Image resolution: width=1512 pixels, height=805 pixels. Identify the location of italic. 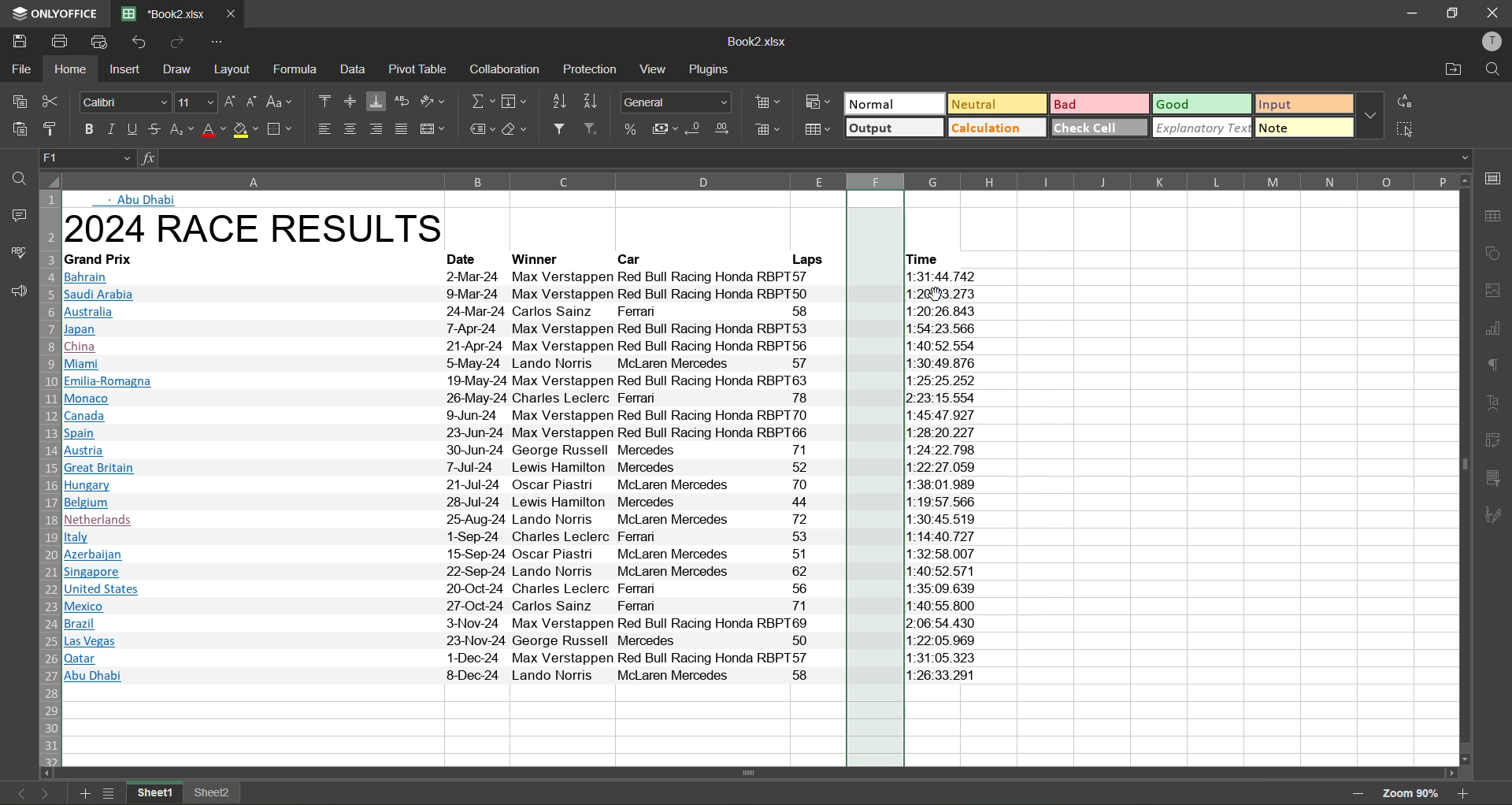
(113, 128).